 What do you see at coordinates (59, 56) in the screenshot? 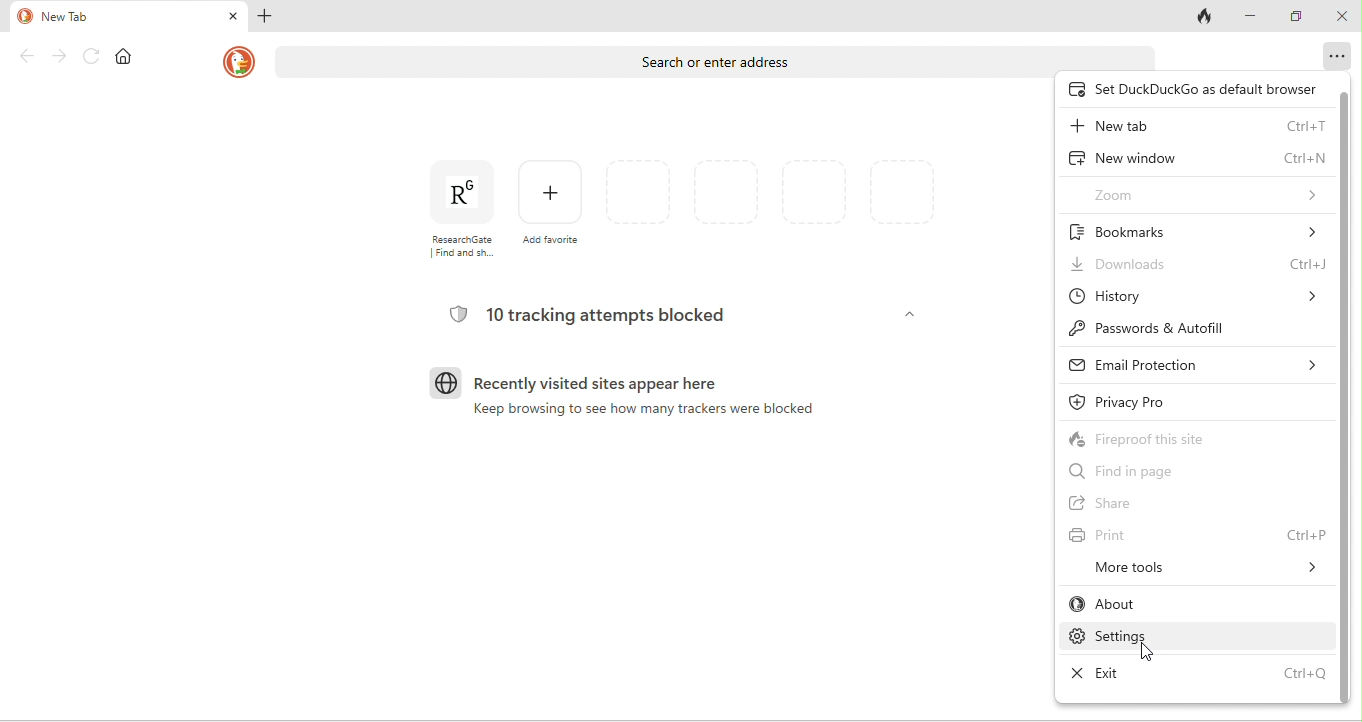
I see `forward` at bounding box center [59, 56].